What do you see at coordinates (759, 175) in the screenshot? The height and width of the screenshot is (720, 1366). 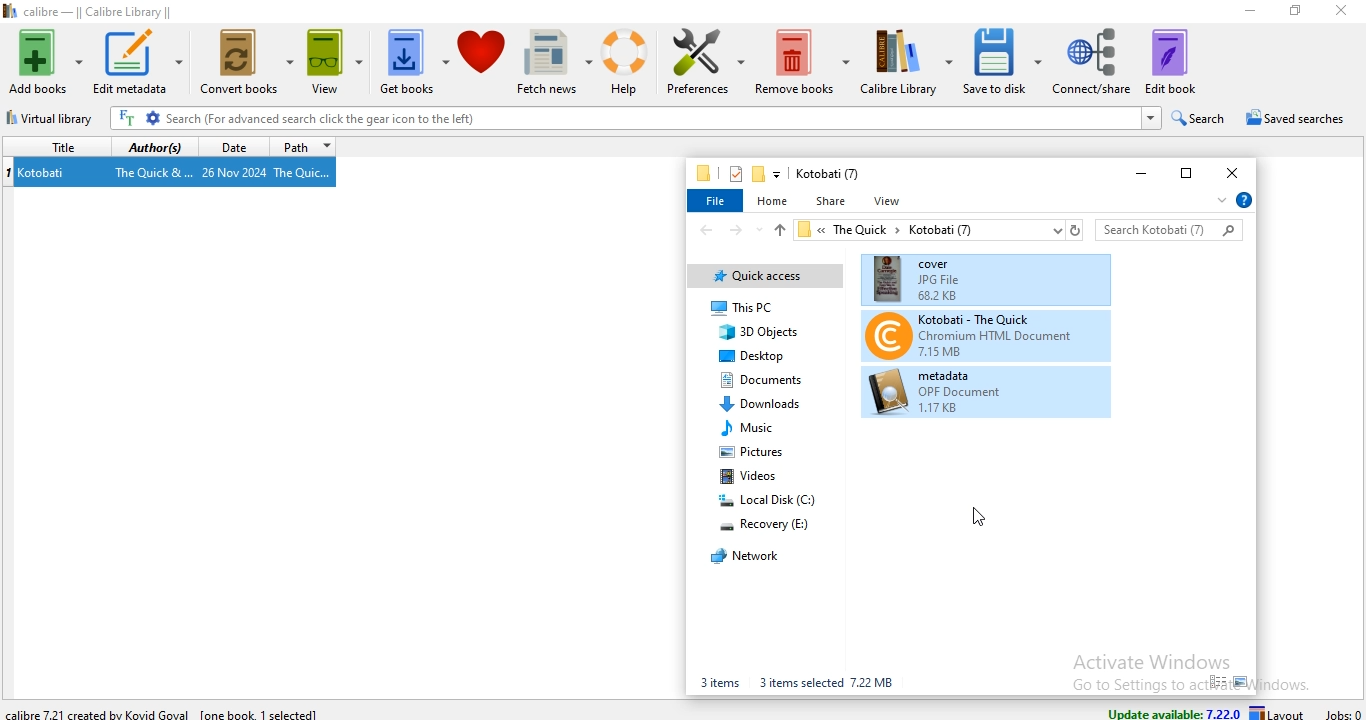 I see `new folder` at bounding box center [759, 175].